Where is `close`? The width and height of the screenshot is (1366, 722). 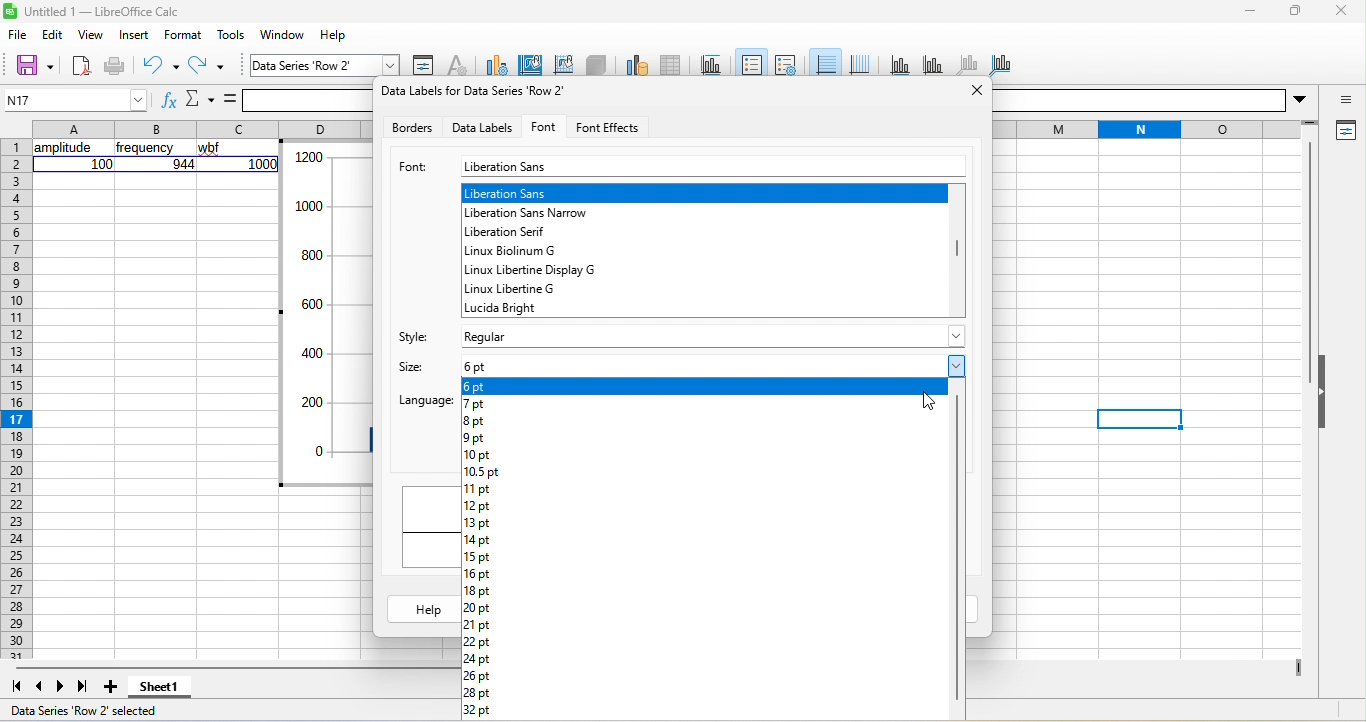
close is located at coordinates (1337, 13).